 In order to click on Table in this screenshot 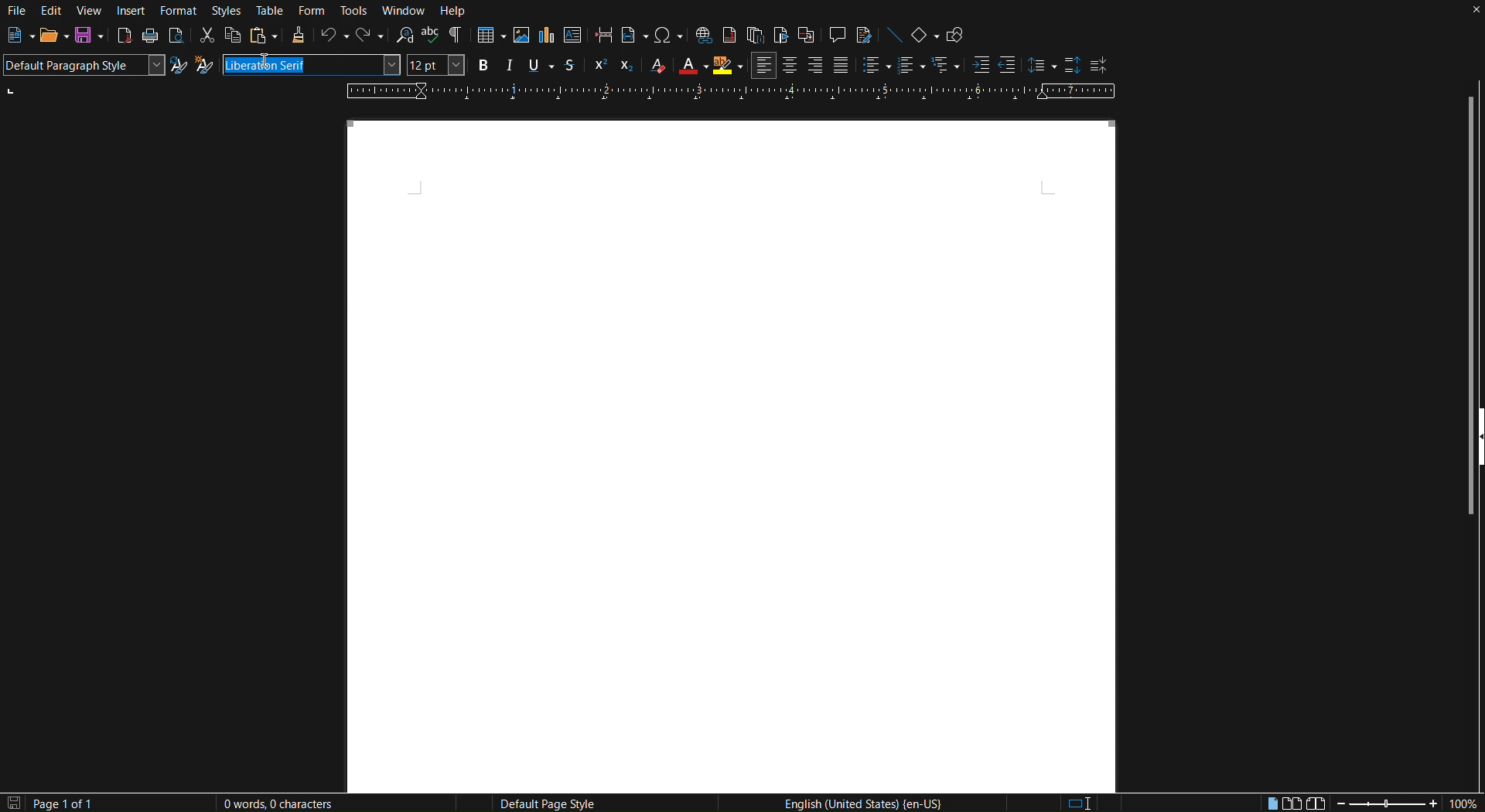, I will do `click(271, 11)`.